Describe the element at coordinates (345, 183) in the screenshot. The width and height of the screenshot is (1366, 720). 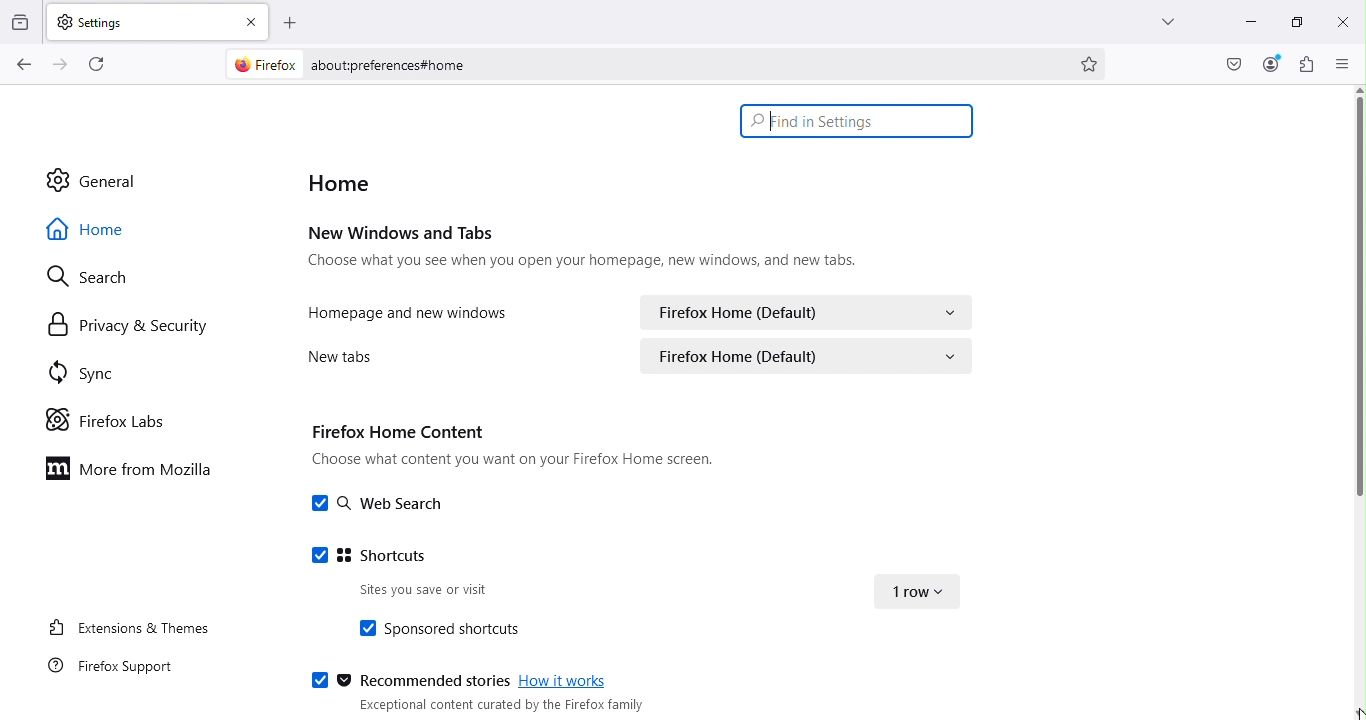
I see `Home` at that location.